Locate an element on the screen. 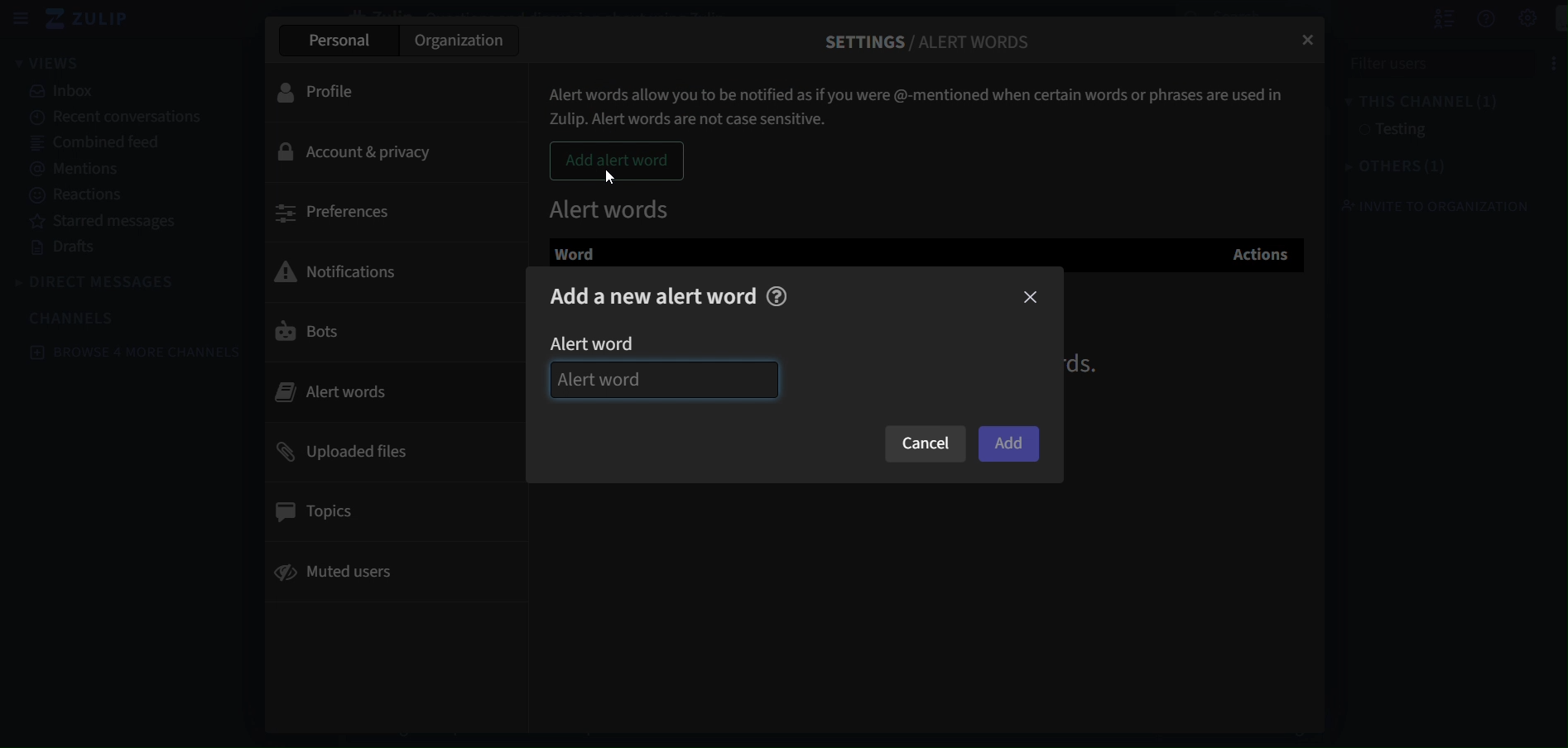 The width and height of the screenshot is (1568, 748). main menu is located at coordinates (1511, 19).